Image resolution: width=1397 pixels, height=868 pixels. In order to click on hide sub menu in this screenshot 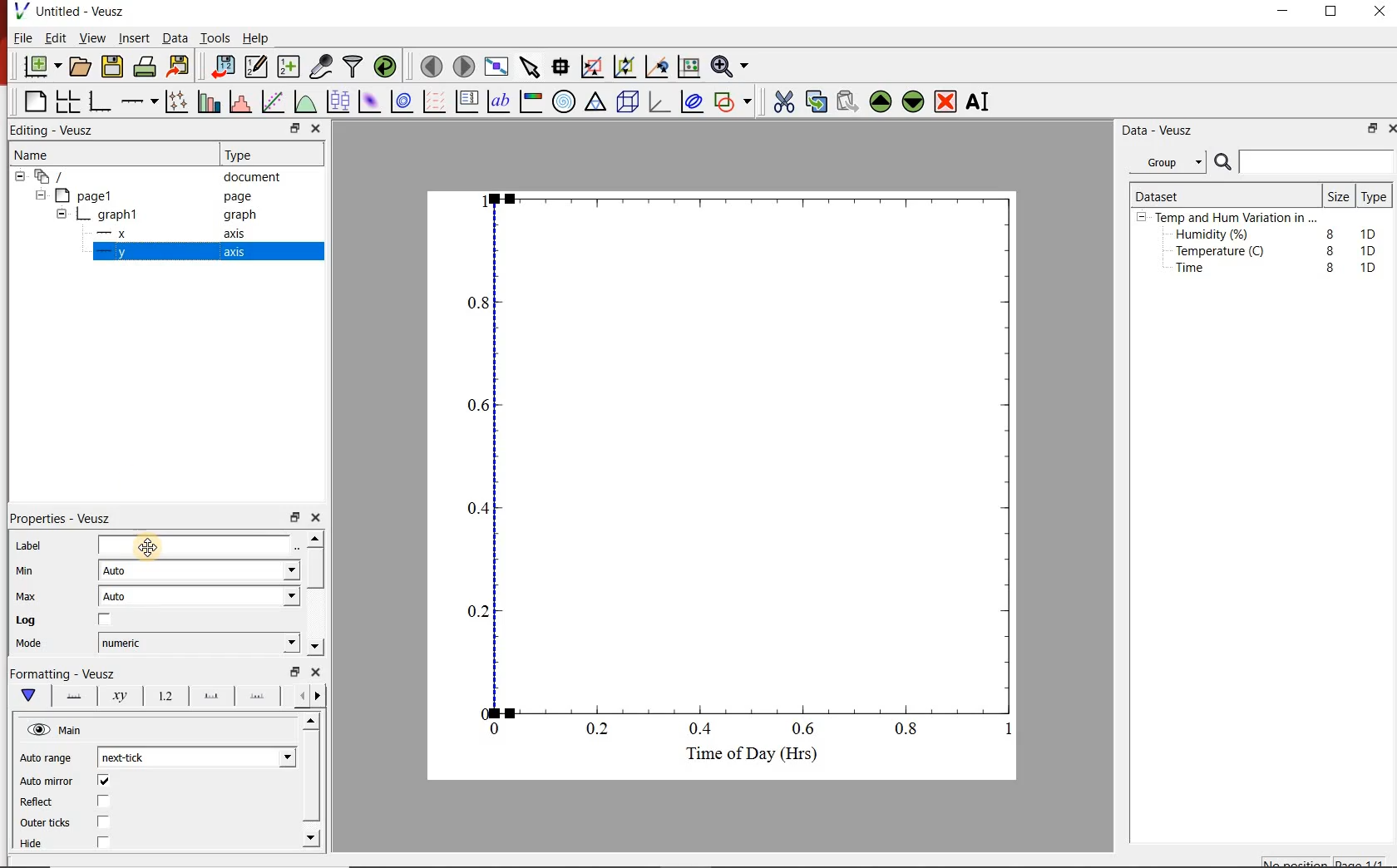, I will do `click(43, 197)`.